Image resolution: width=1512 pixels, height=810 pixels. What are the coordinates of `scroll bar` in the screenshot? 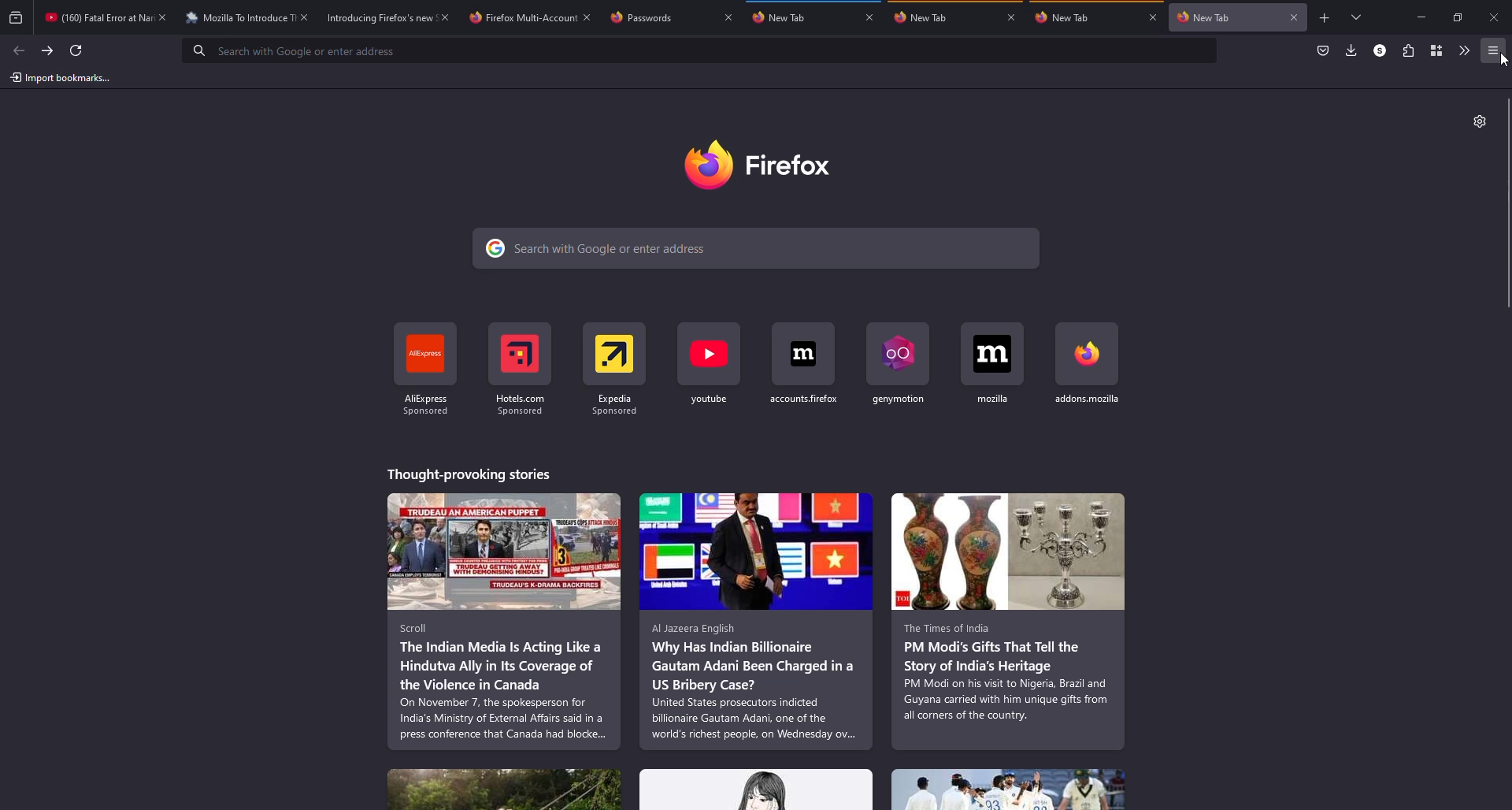 It's located at (1510, 208).